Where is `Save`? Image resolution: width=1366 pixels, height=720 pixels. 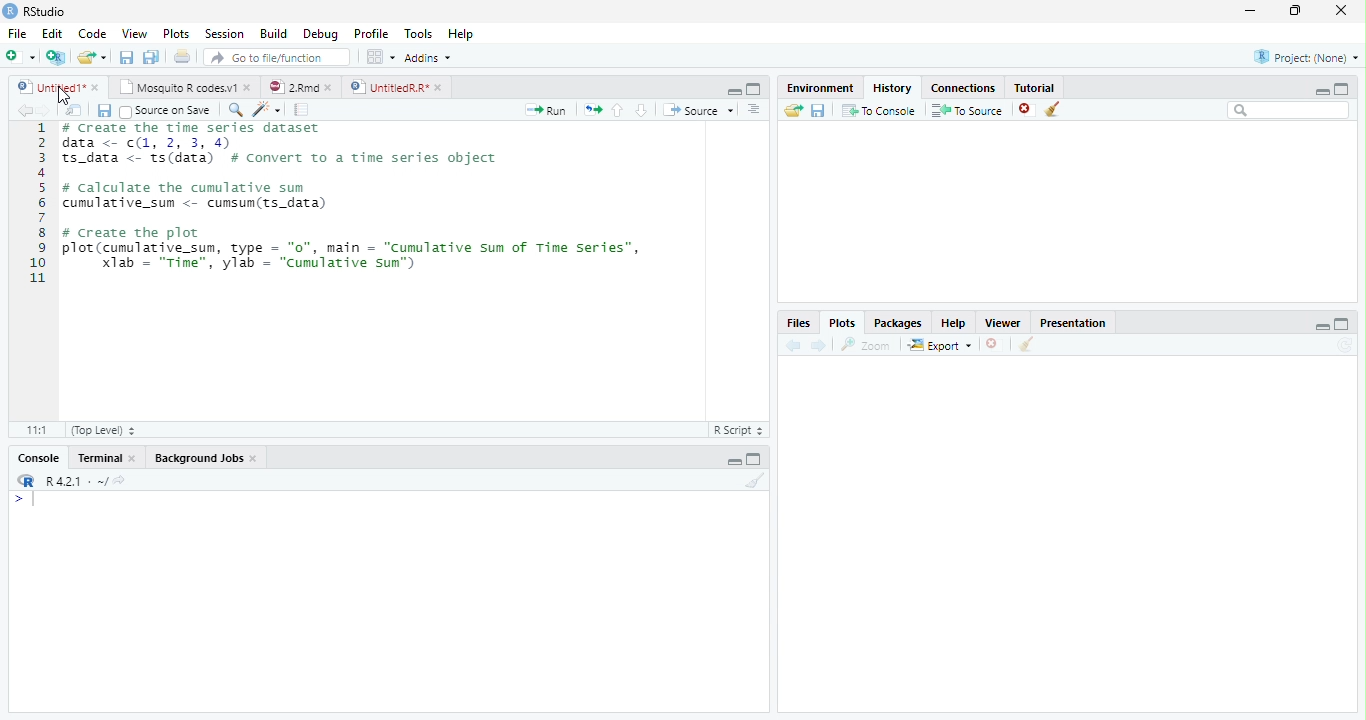
Save is located at coordinates (820, 111).